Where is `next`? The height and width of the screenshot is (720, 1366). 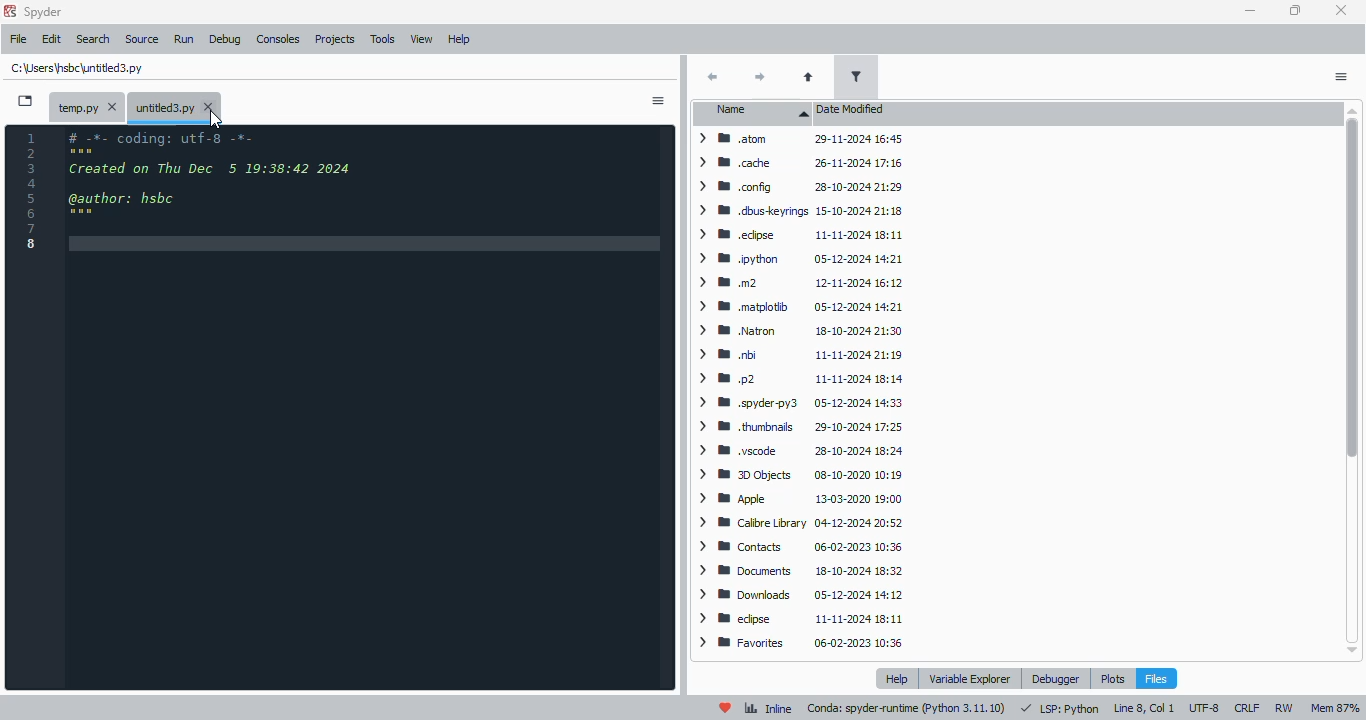 next is located at coordinates (760, 79).